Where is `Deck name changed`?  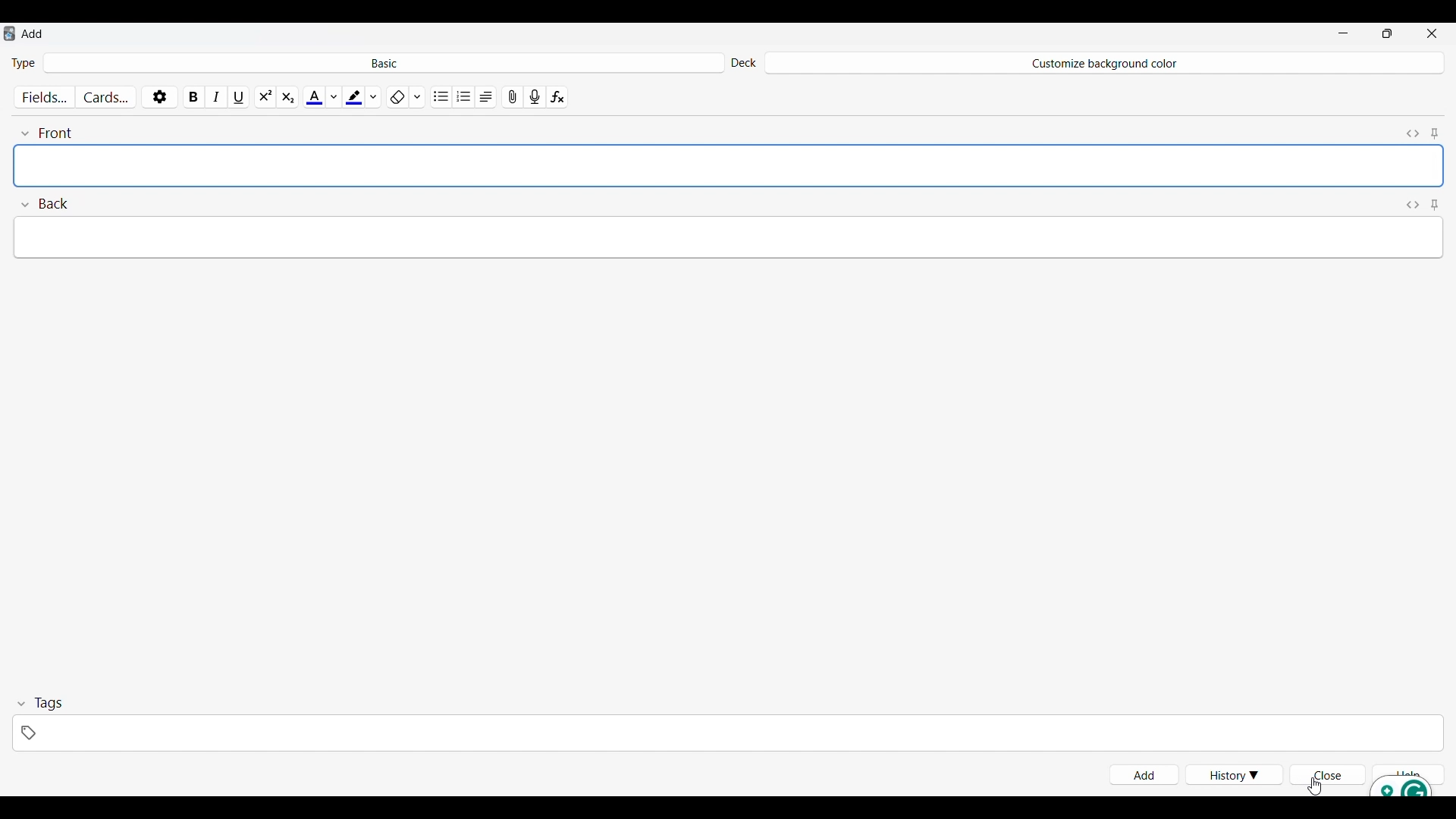 Deck name changed is located at coordinates (1103, 63).